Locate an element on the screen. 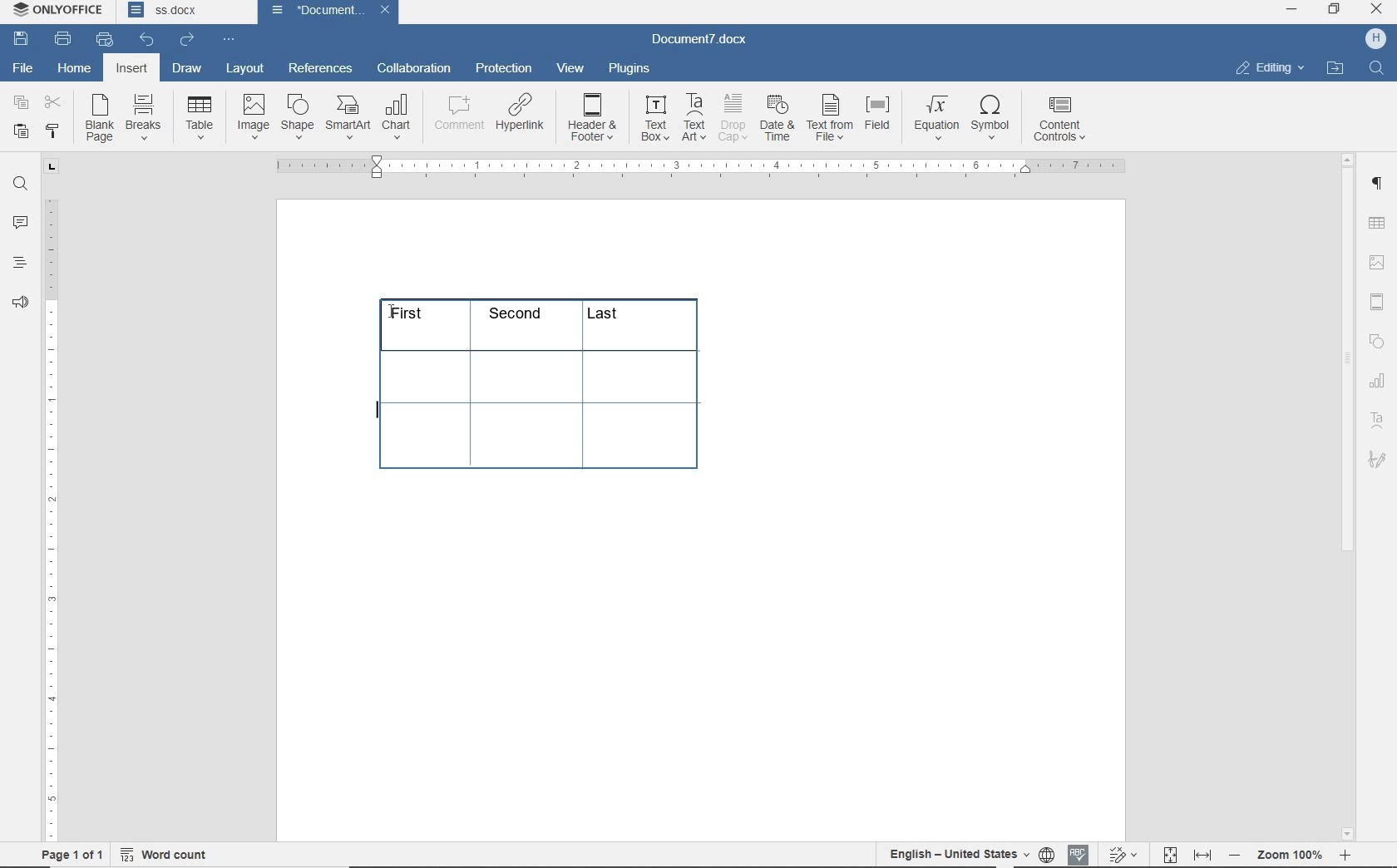 This screenshot has height=868, width=1397. set document language is located at coordinates (1046, 852).